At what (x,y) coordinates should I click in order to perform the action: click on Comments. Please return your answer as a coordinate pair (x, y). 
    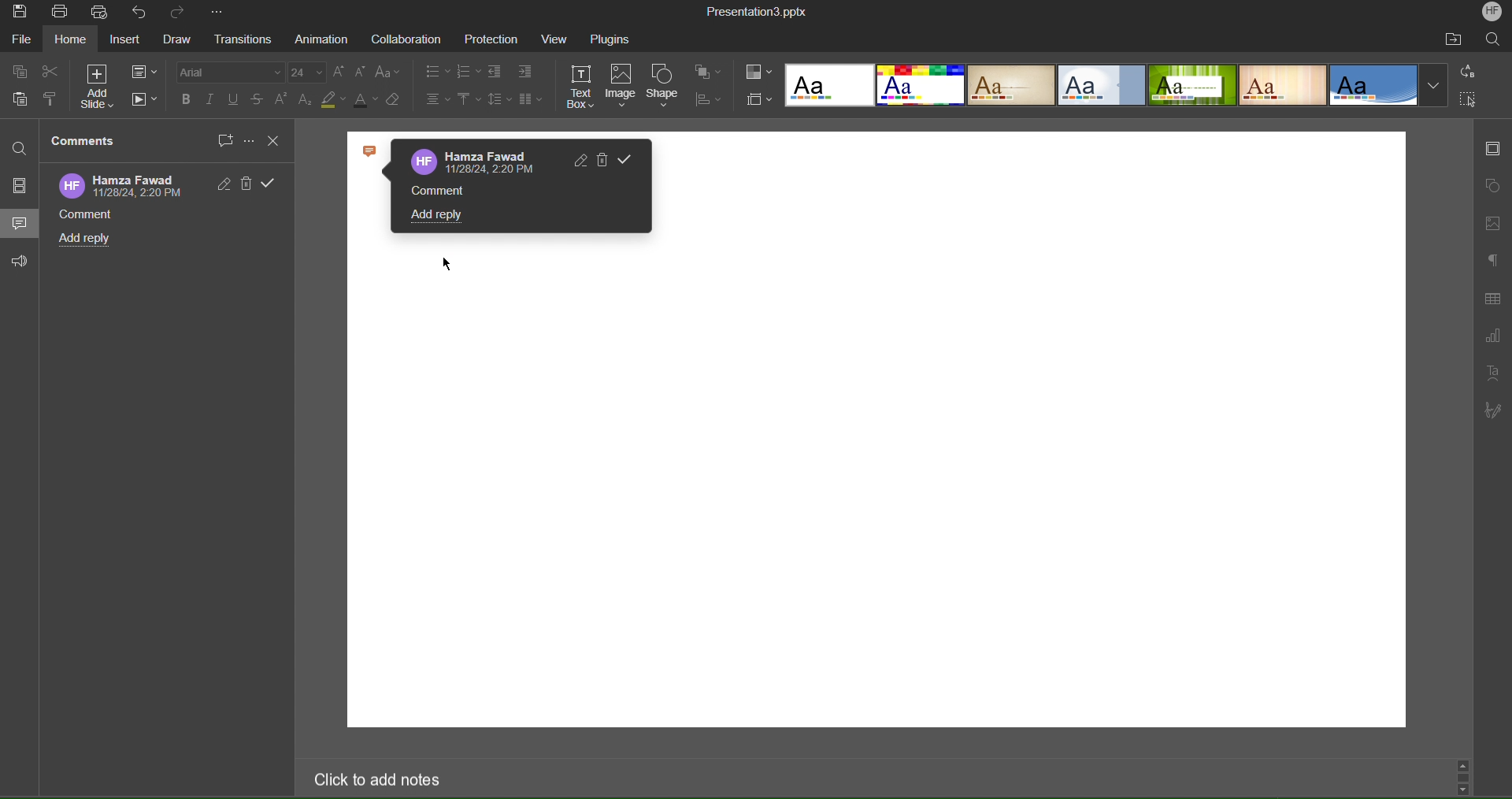
    Looking at the image, I should click on (20, 222).